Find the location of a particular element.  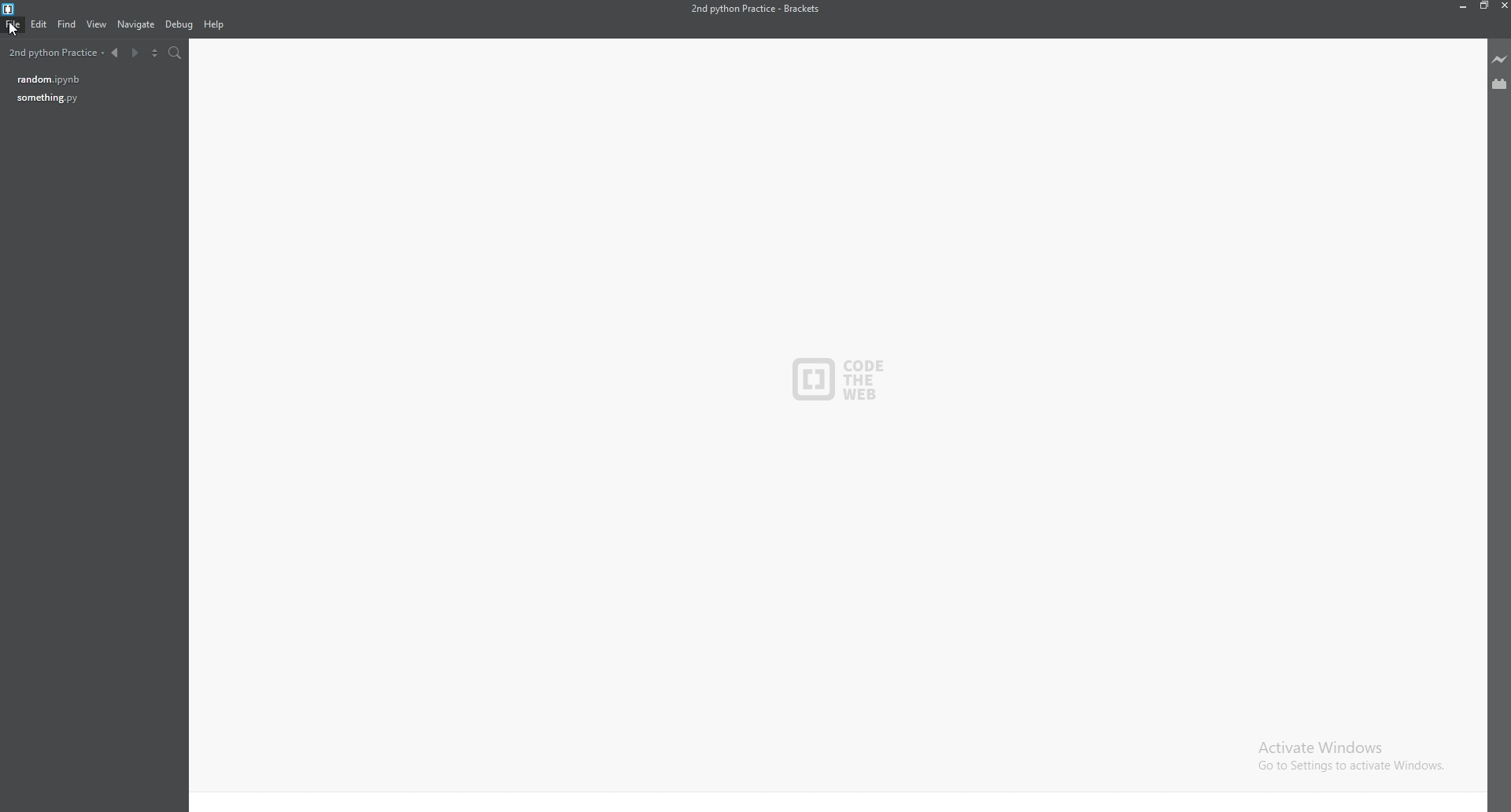

navigate is located at coordinates (138, 24).